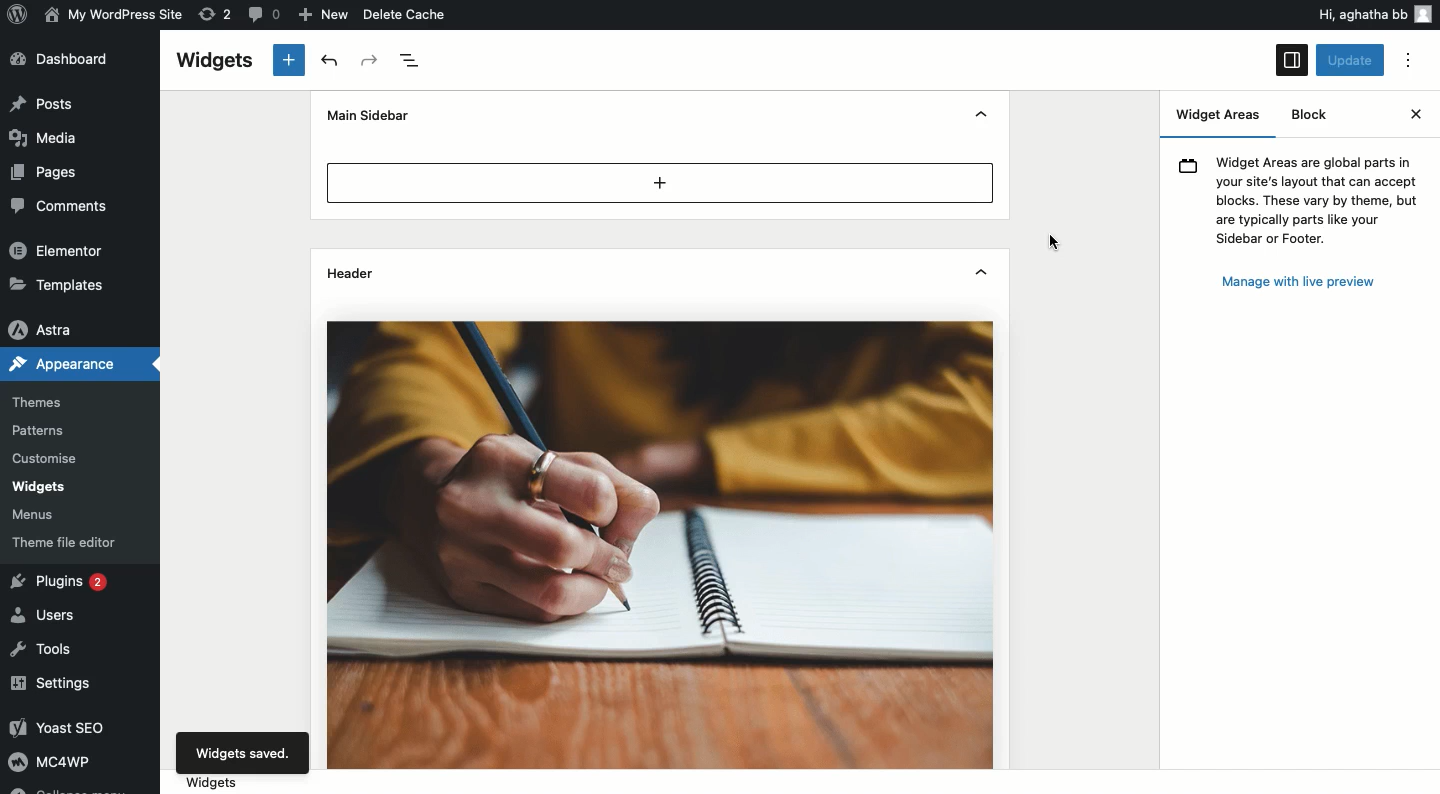 This screenshot has width=1440, height=794. What do you see at coordinates (1057, 244) in the screenshot?
I see `Cursor` at bounding box center [1057, 244].